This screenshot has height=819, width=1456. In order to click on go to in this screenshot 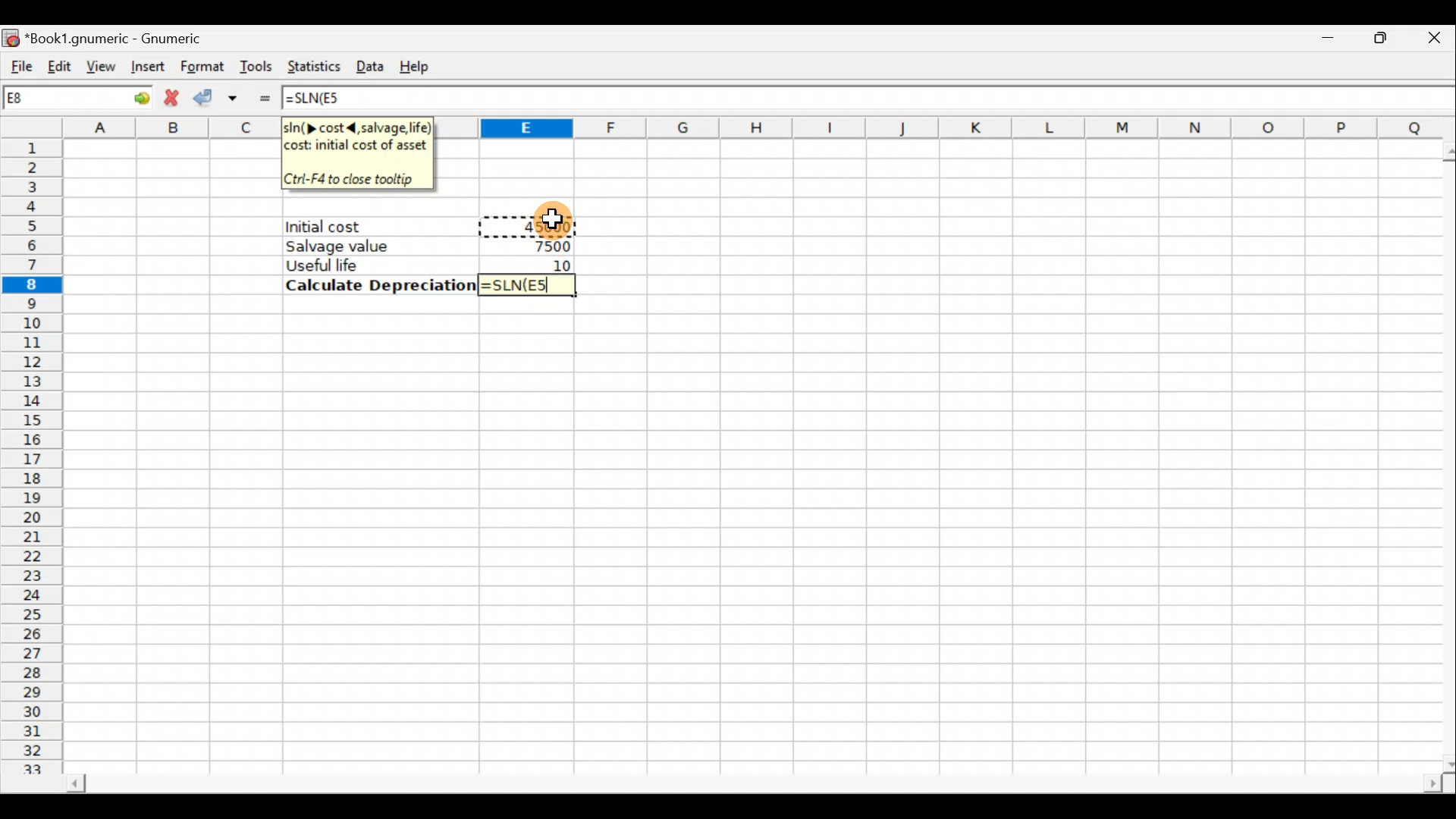, I will do `click(132, 98)`.